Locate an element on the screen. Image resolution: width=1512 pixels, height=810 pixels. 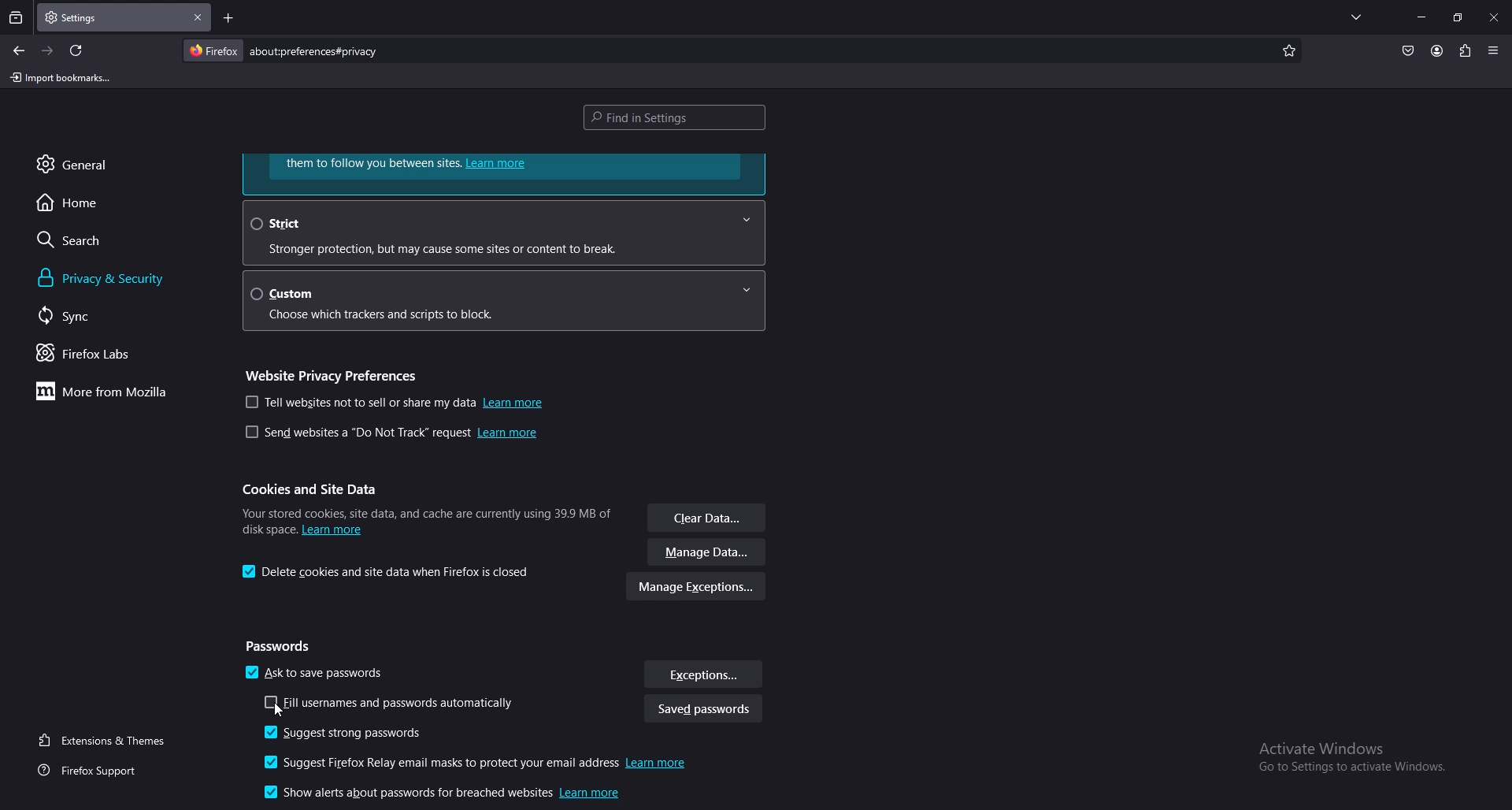
strict is located at coordinates (502, 232).